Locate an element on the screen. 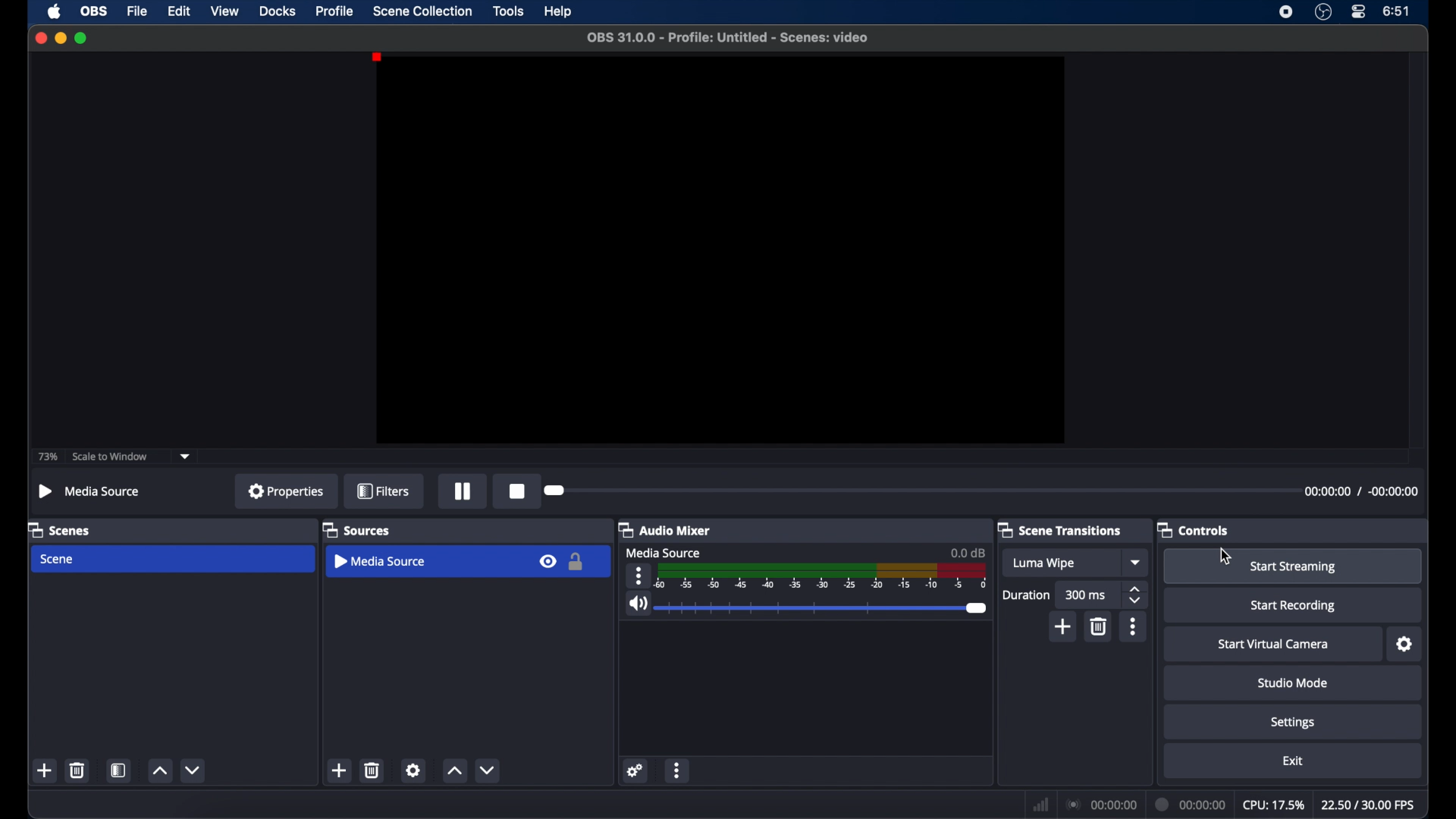 This screenshot has height=819, width=1456. edit is located at coordinates (179, 12).